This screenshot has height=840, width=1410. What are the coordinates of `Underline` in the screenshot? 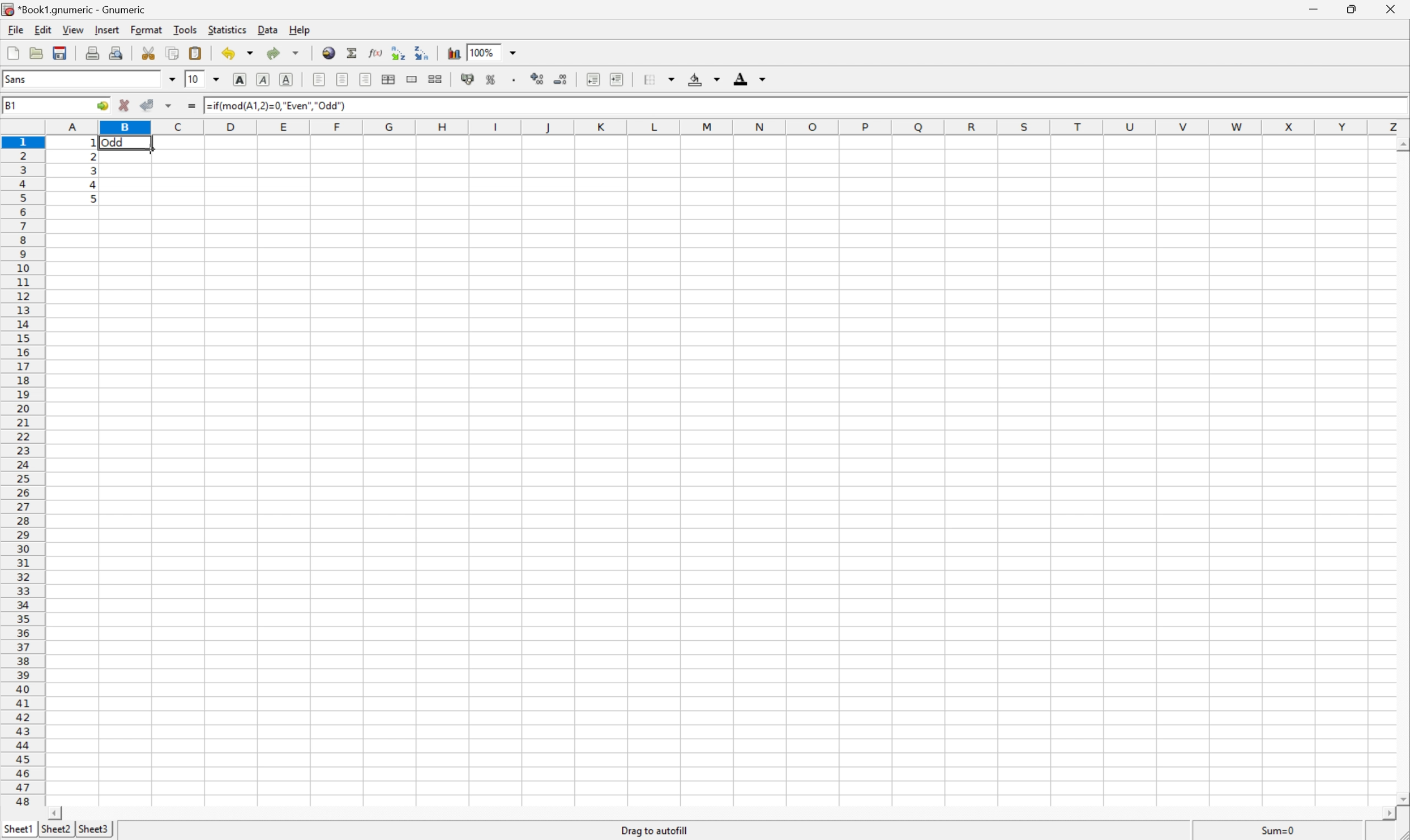 It's located at (287, 79).